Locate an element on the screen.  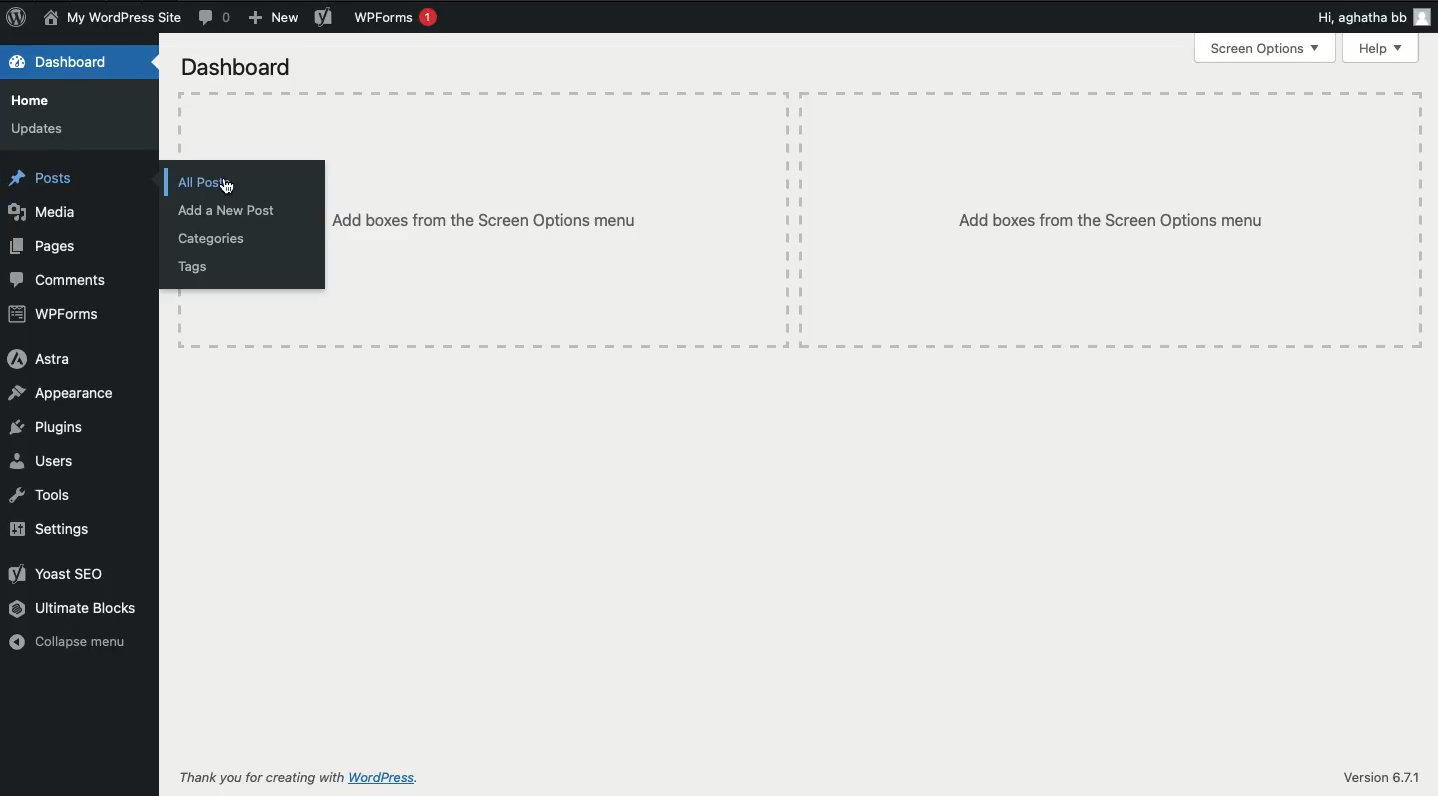
Dashboard is located at coordinates (61, 63).